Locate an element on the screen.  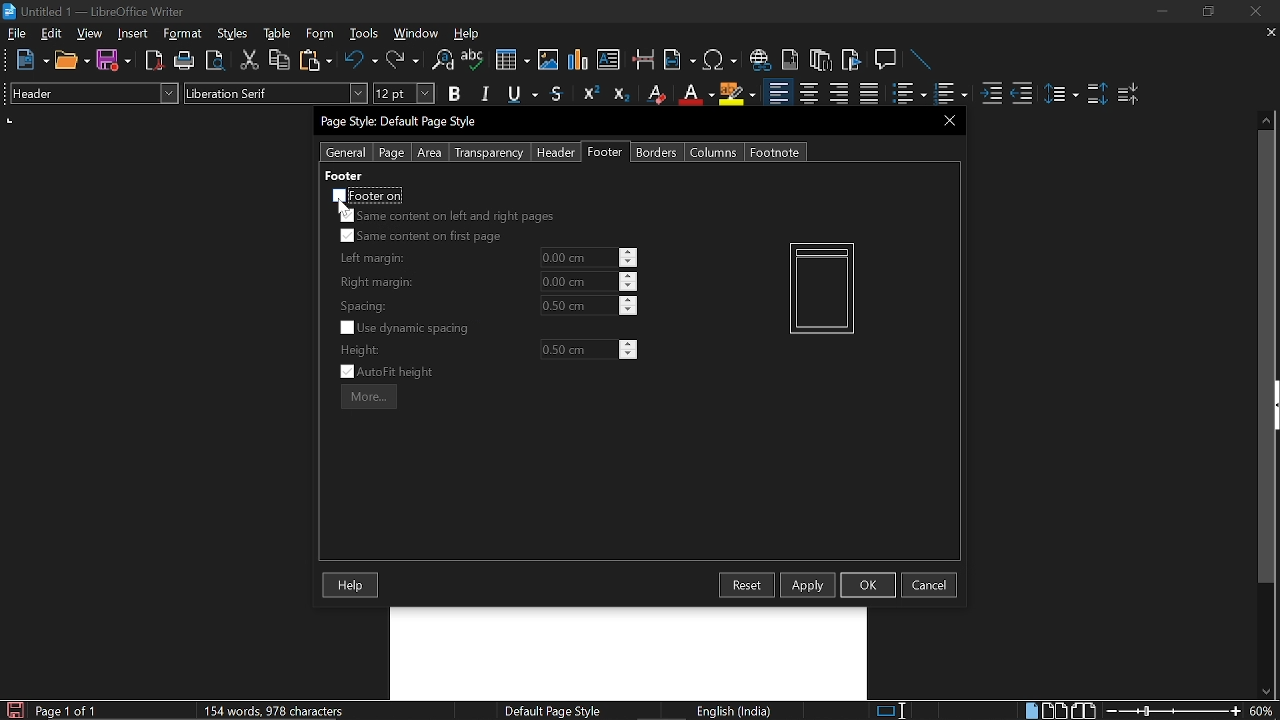
Tools is located at coordinates (364, 34).